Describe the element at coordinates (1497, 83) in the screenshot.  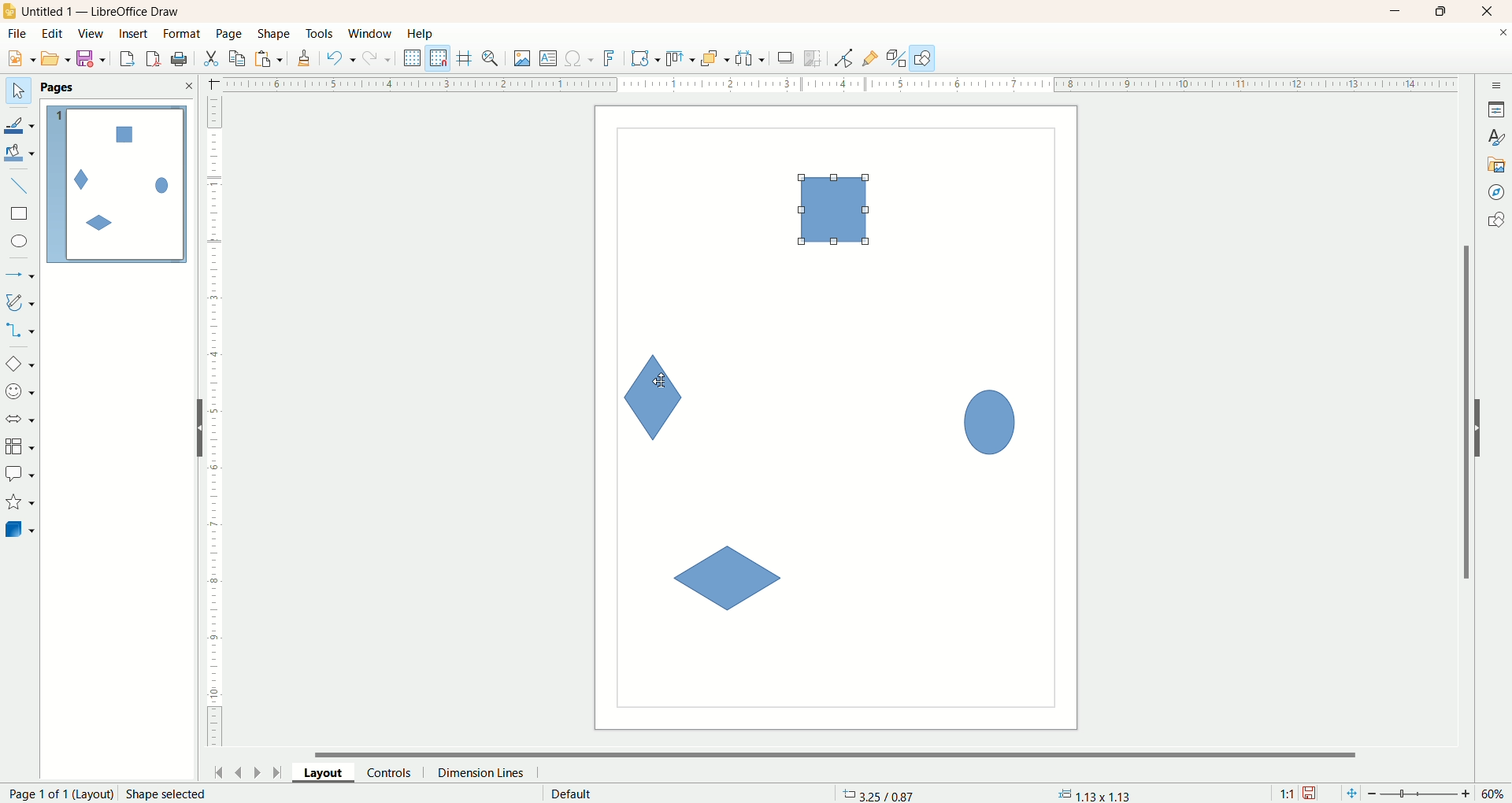
I see `sidebar settings` at that location.